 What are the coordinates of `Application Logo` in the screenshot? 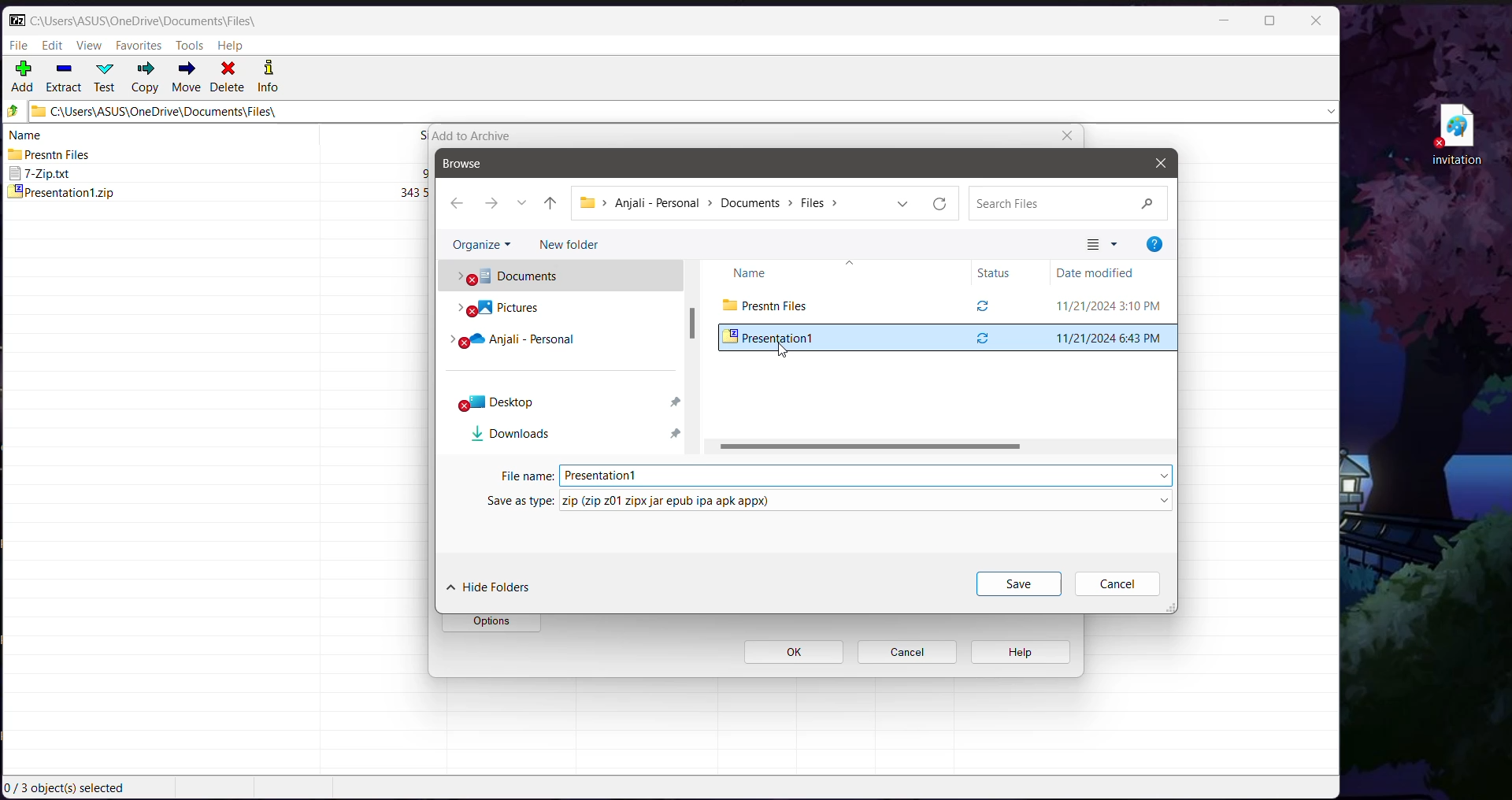 It's located at (17, 20).